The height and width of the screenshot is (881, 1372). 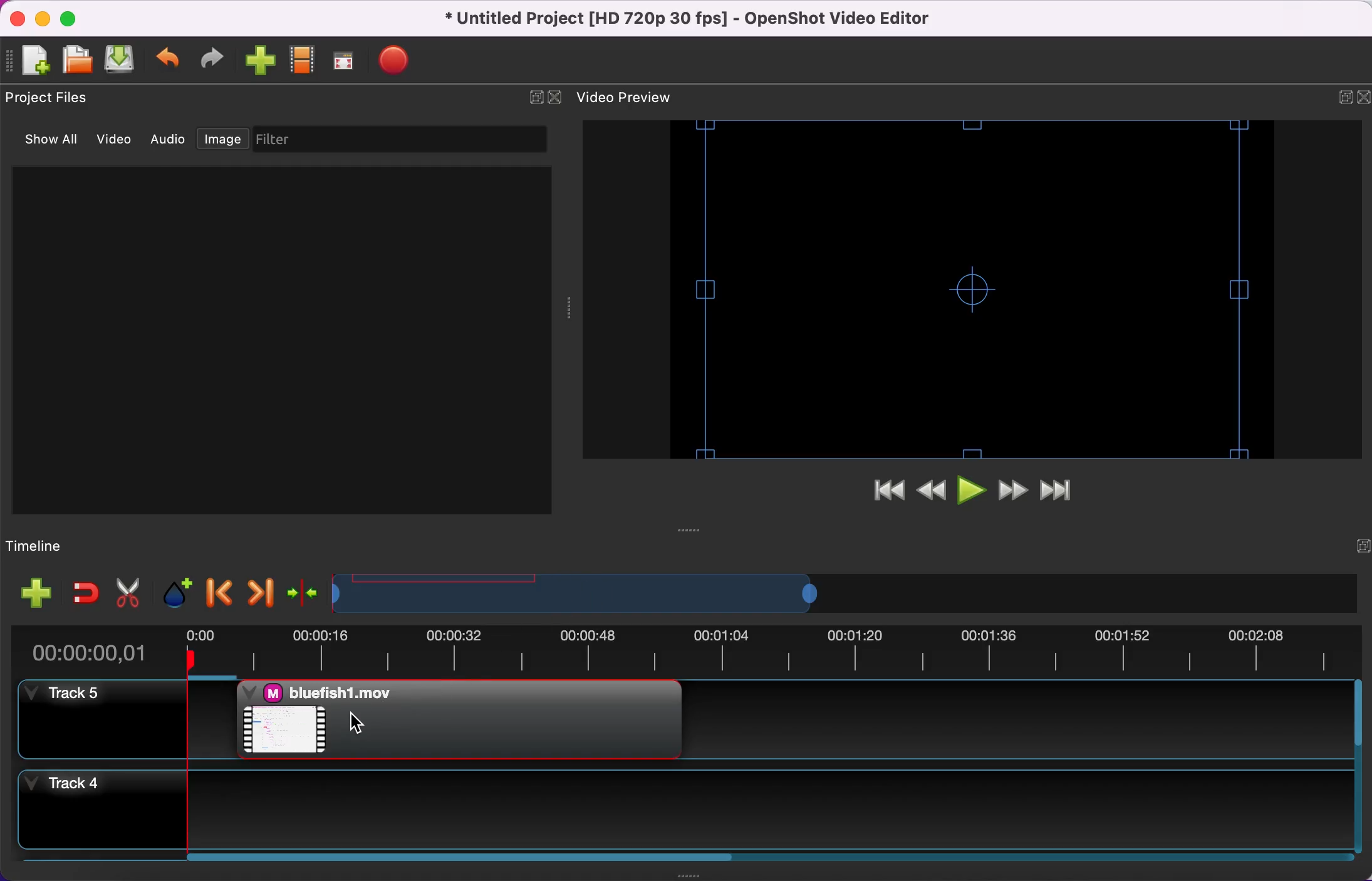 I want to click on cut, so click(x=128, y=592).